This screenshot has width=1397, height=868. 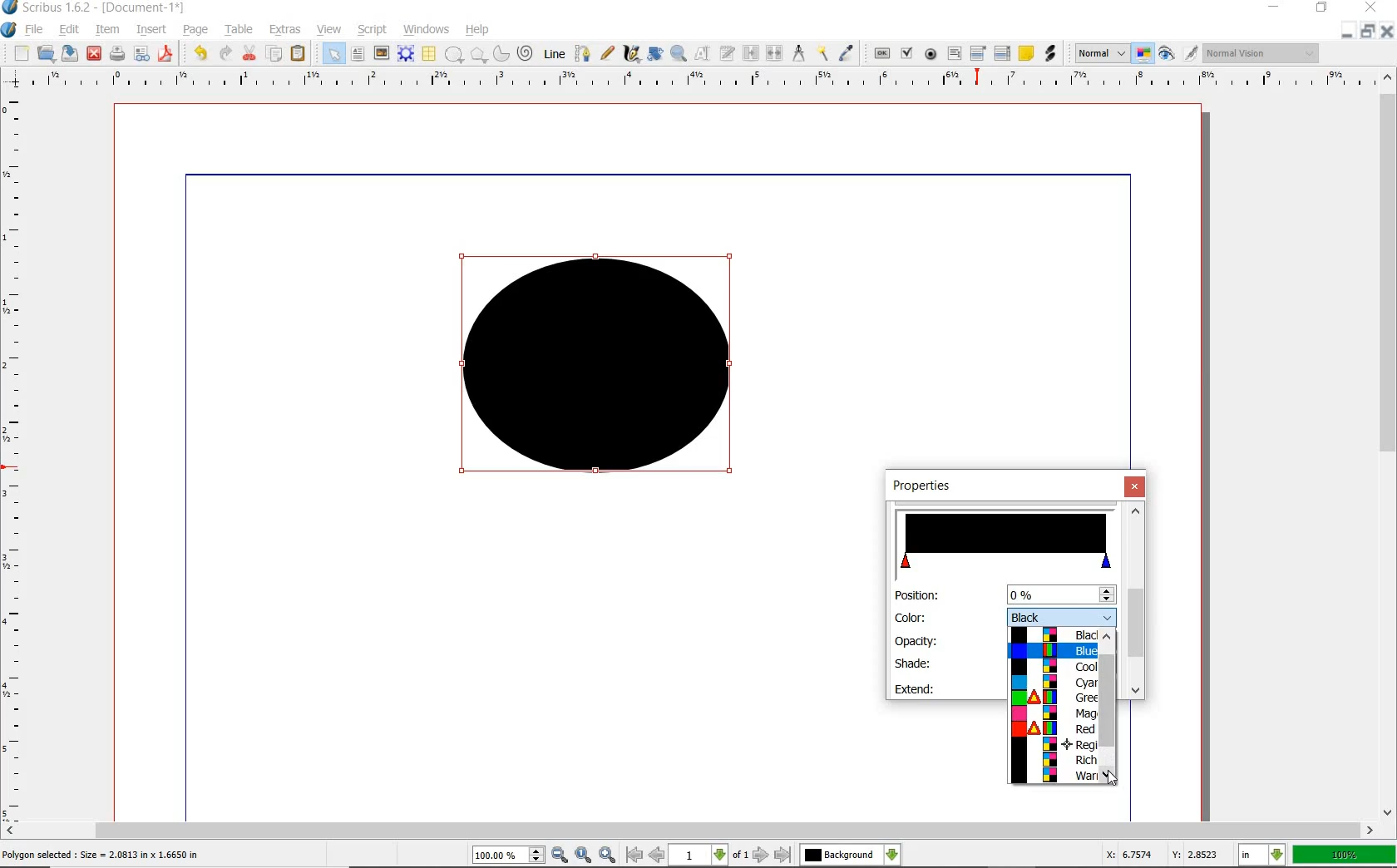 I want to click on SCROLLBAR, so click(x=1389, y=442).